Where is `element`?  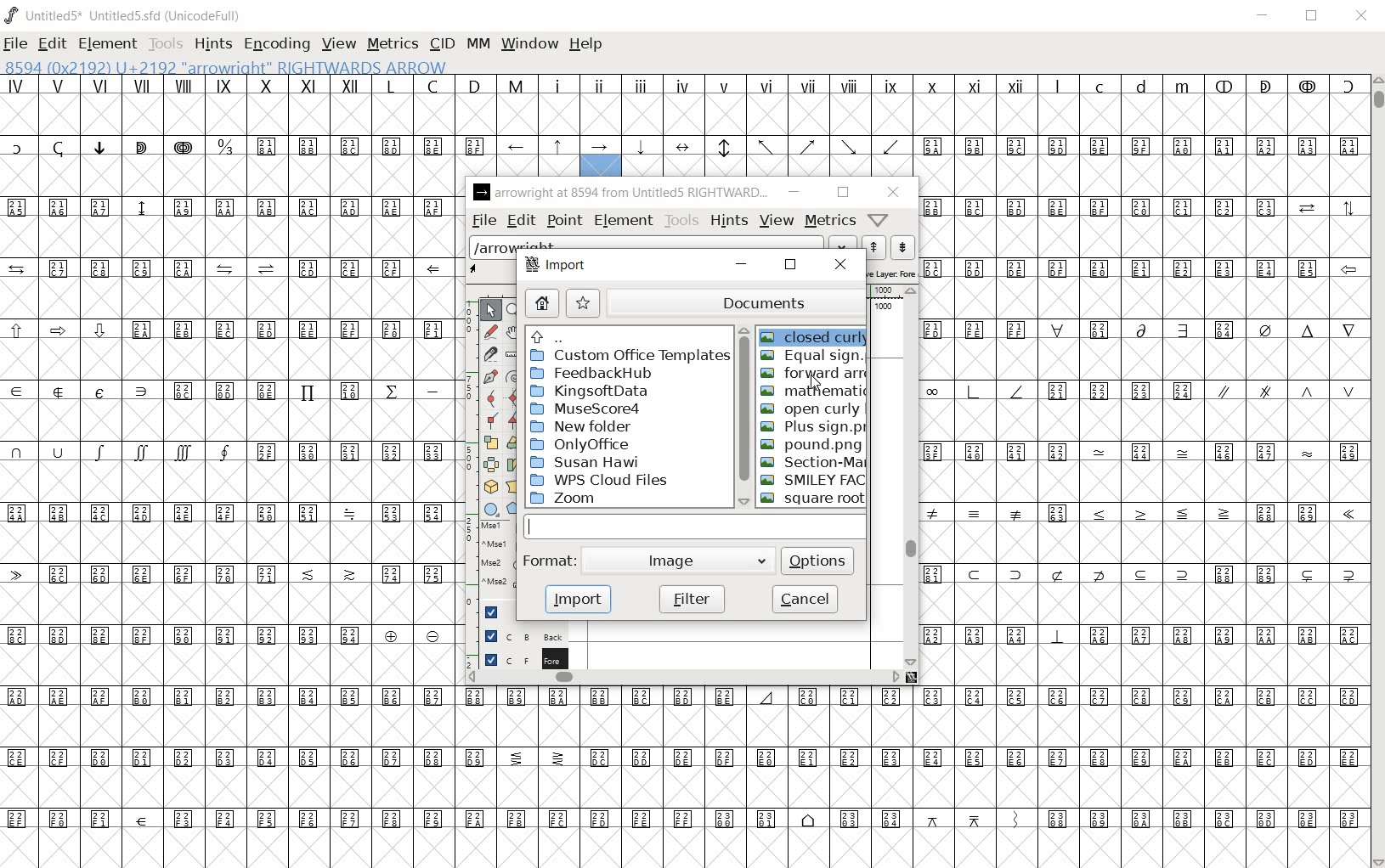 element is located at coordinates (624, 220).